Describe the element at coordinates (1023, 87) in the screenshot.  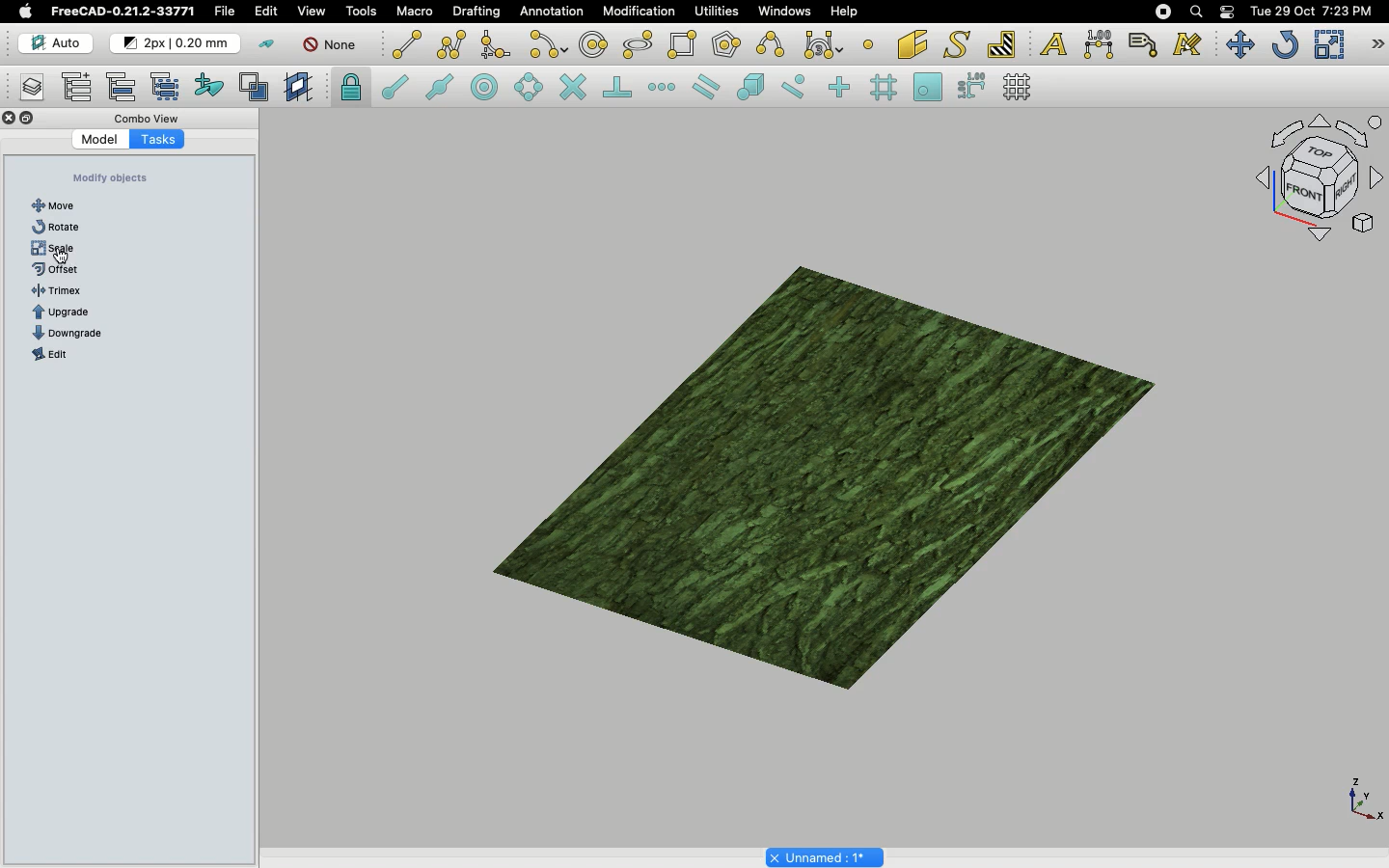
I see `Toggle grid` at that location.